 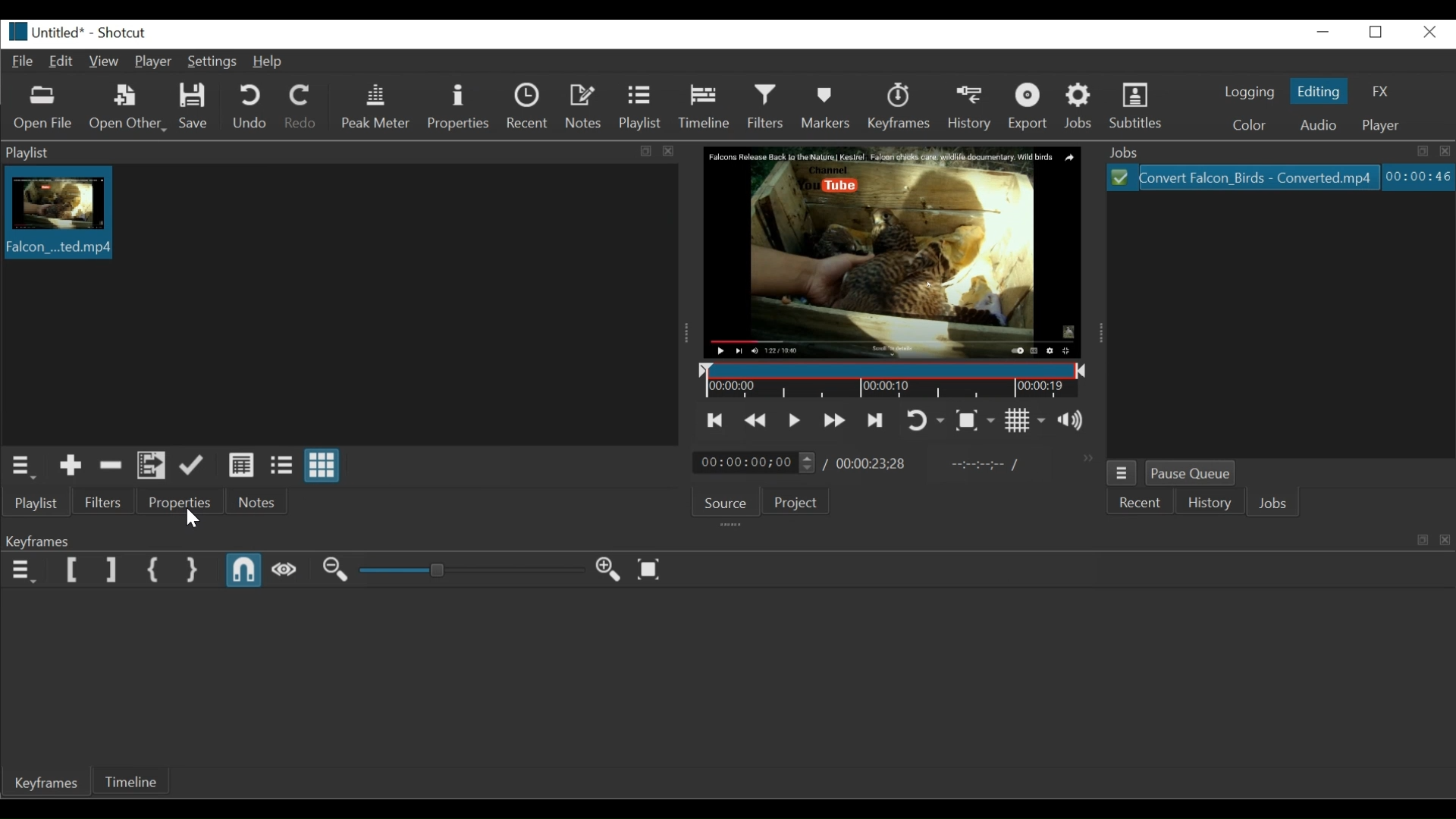 What do you see at coordinates (716, 420) in the screenshot?
I see `Skip to the previous point` at bounding box center [716, 420].